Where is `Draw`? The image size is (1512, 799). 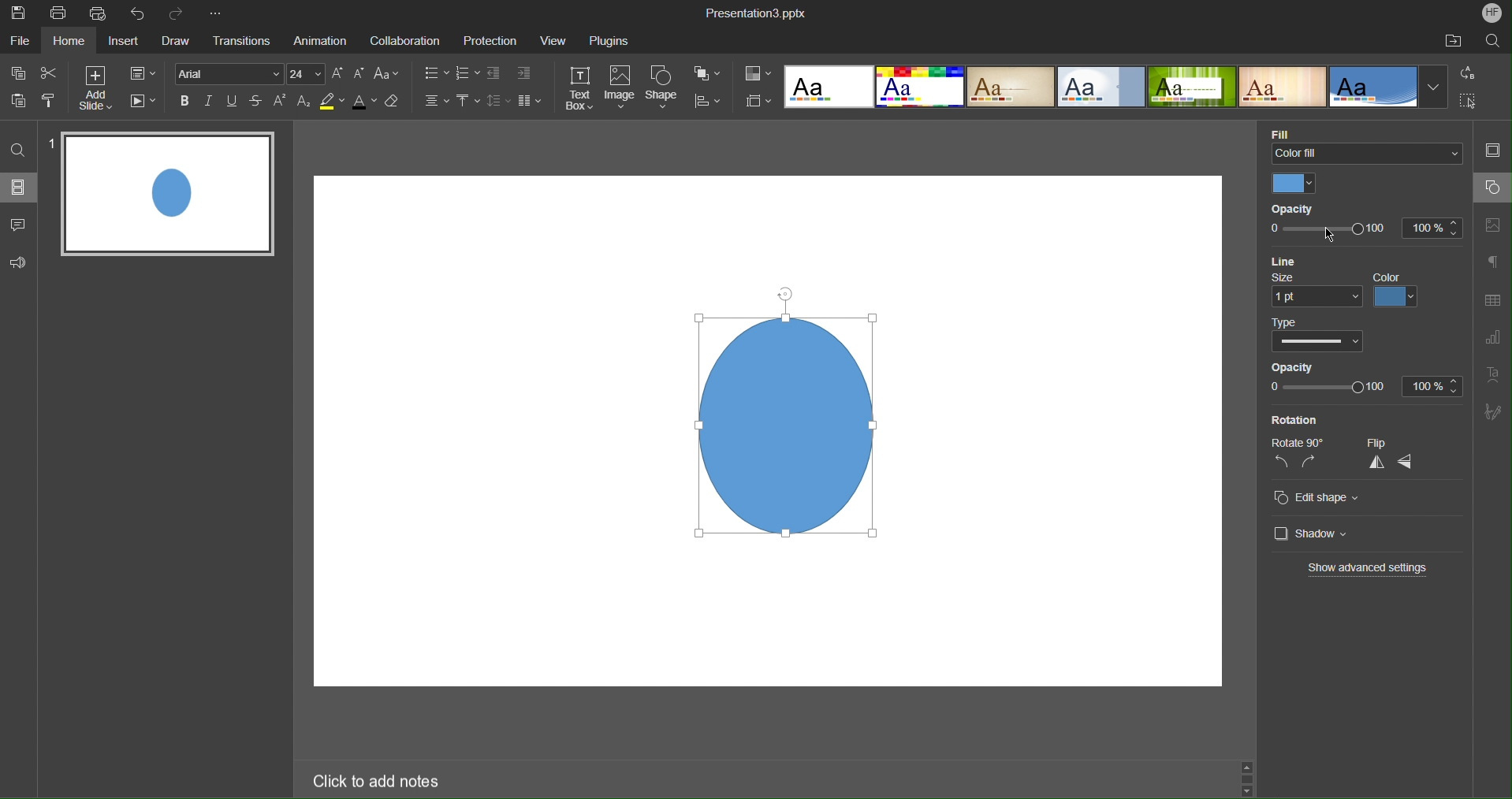
Draw is located at coordinates (177, 43).